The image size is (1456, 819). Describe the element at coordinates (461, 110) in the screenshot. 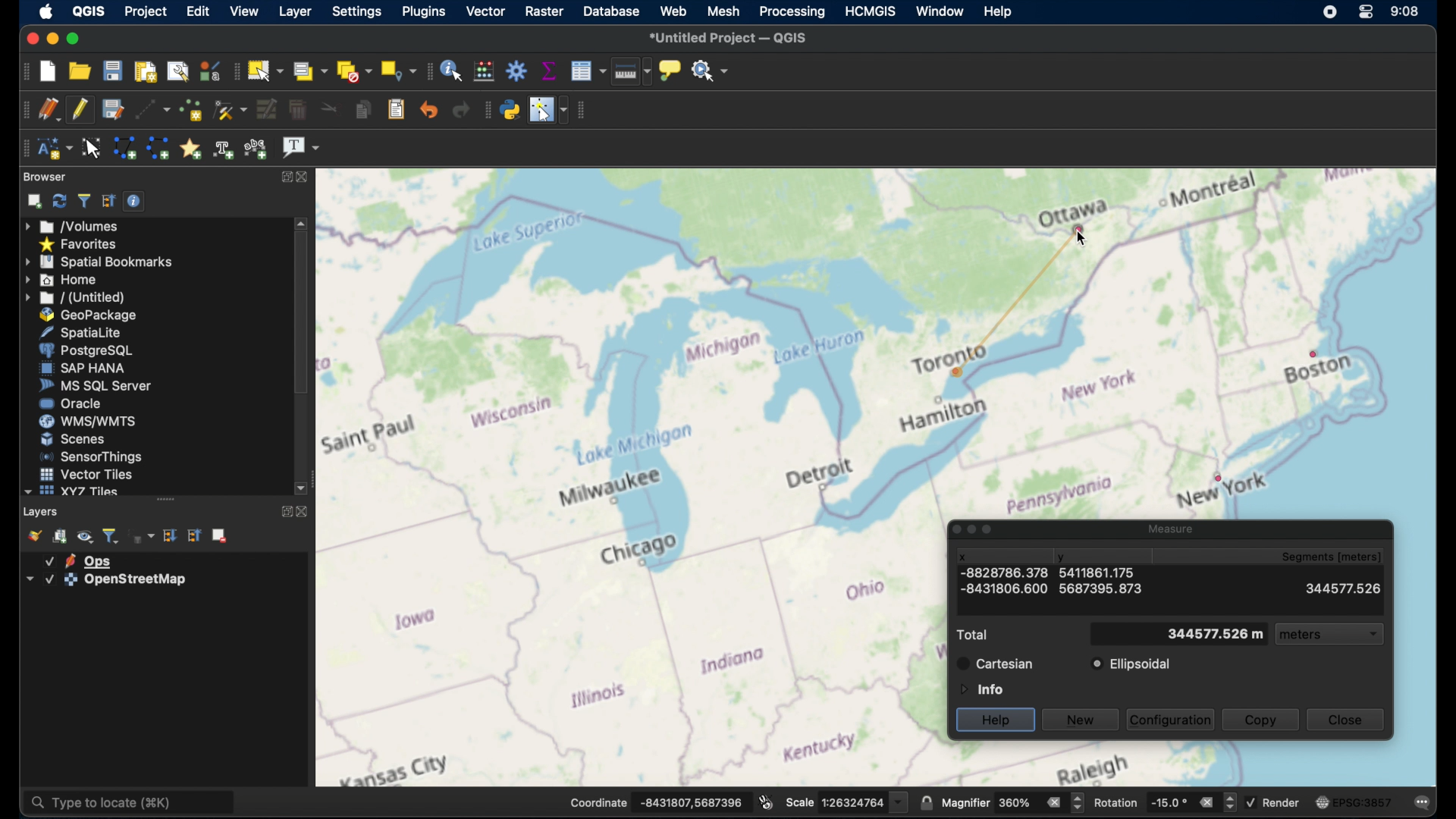

I see `redo` at that location.